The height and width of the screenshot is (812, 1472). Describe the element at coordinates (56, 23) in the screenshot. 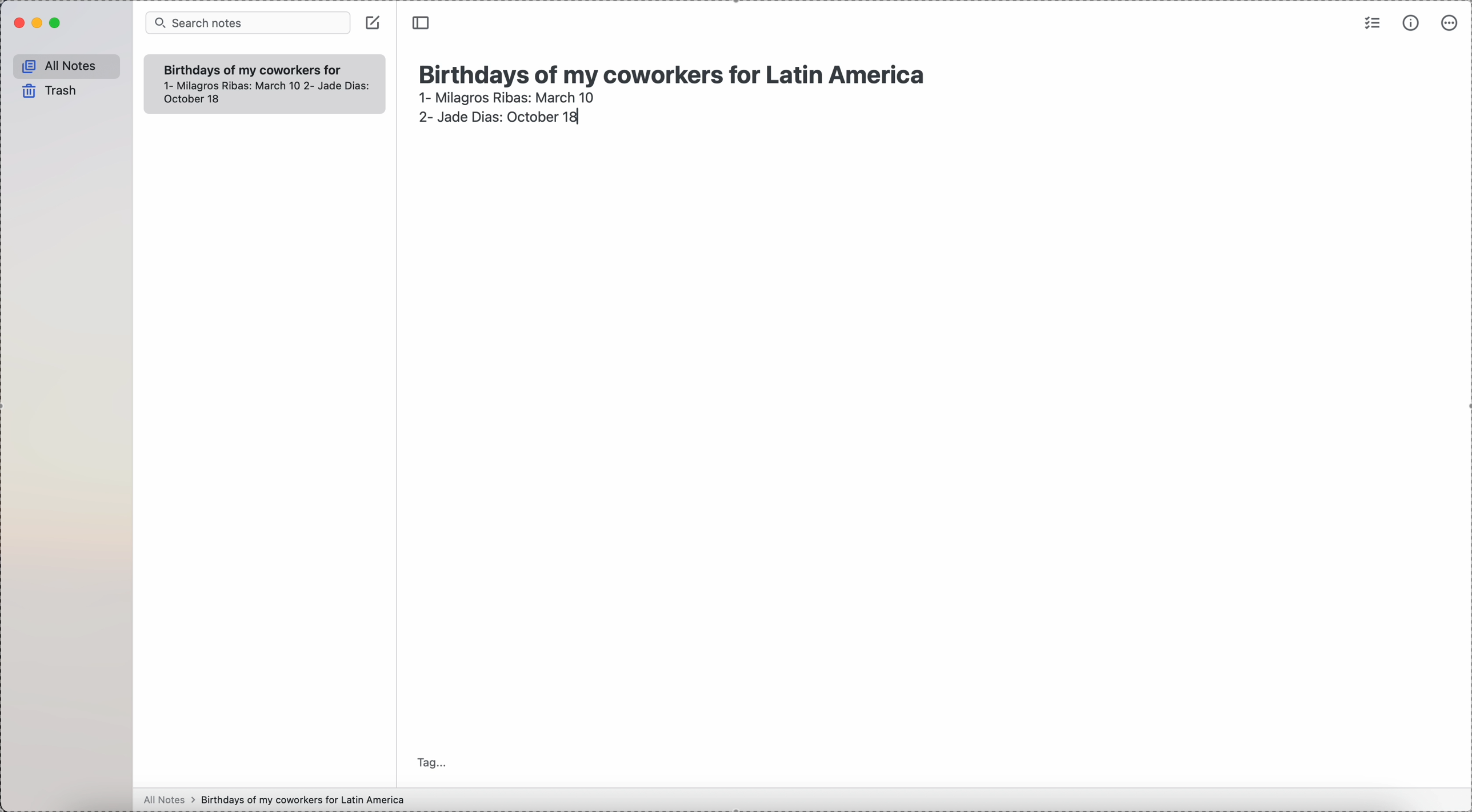

I see `maximize Simplenote` at that location.